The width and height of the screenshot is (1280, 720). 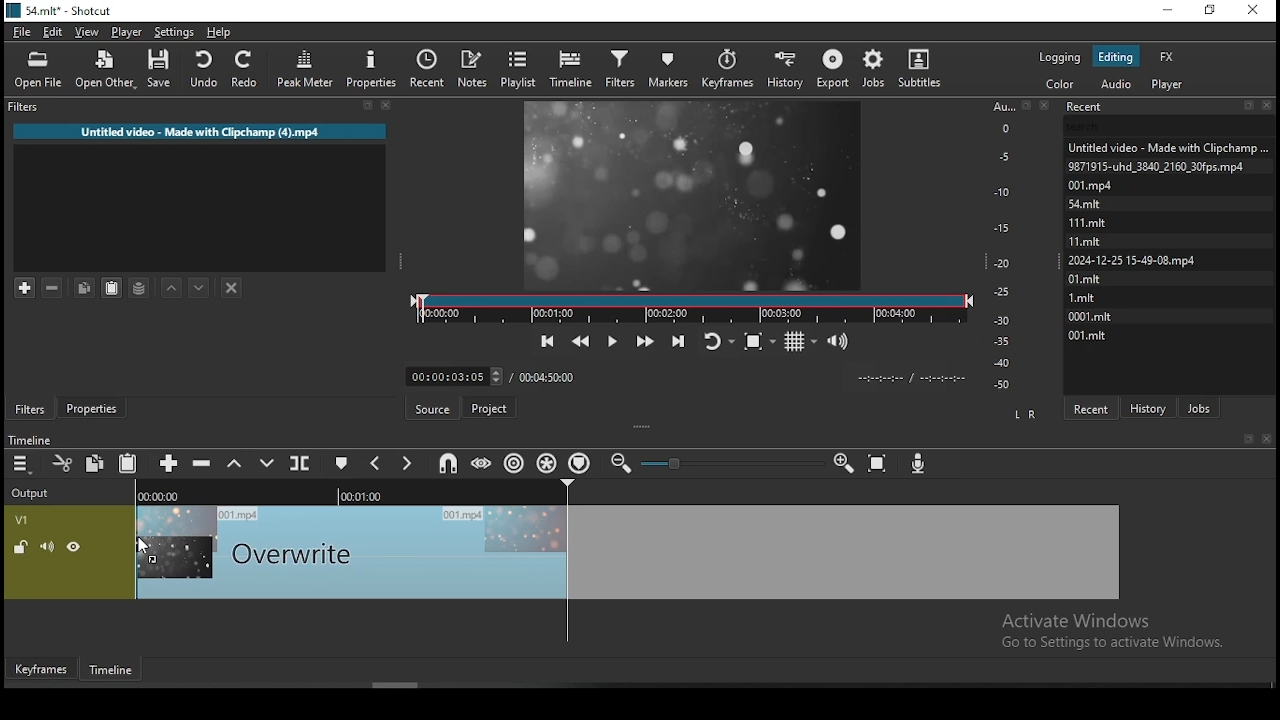 What do you see at coordinates (21, 464) in the screenshot?
I see `timeline menu` at bounding box center [21, 464].